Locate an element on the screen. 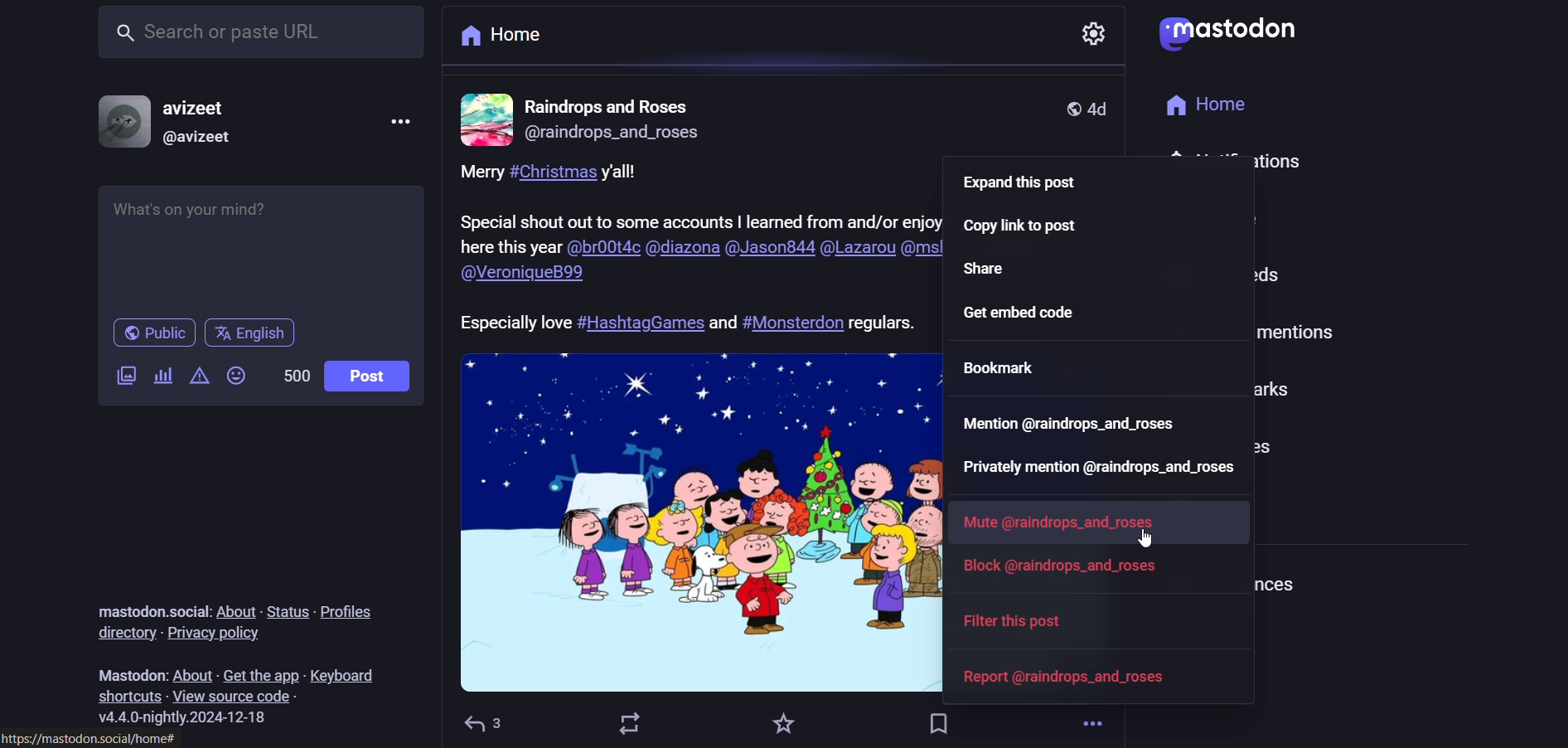 The height and width of the screenshot is (748, 1568). @username is located at coordinates (195, 138).